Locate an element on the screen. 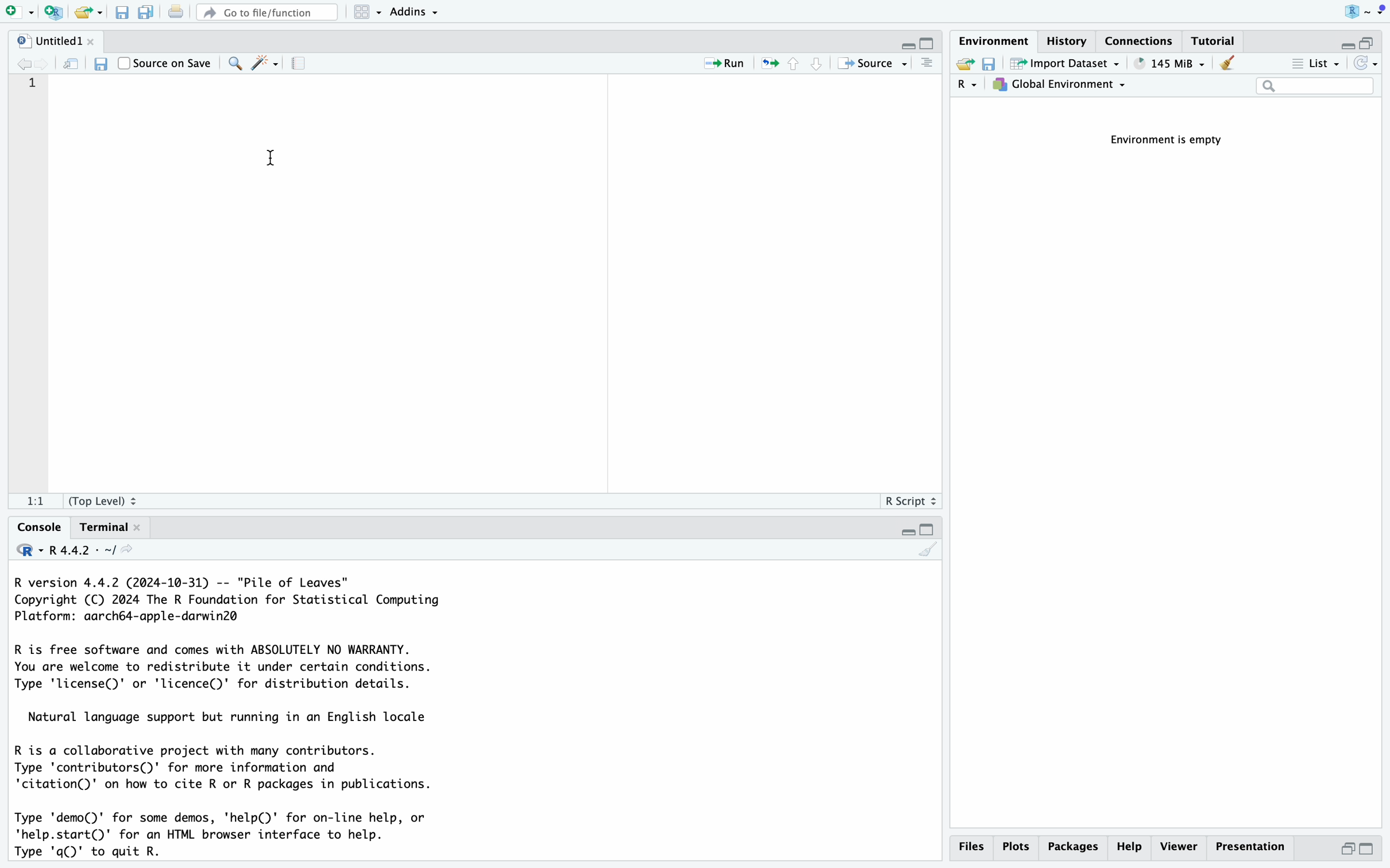 Image resolution: width=1390 pixels, height=868 pixels. global environment is located at coordinates (1062, 87).